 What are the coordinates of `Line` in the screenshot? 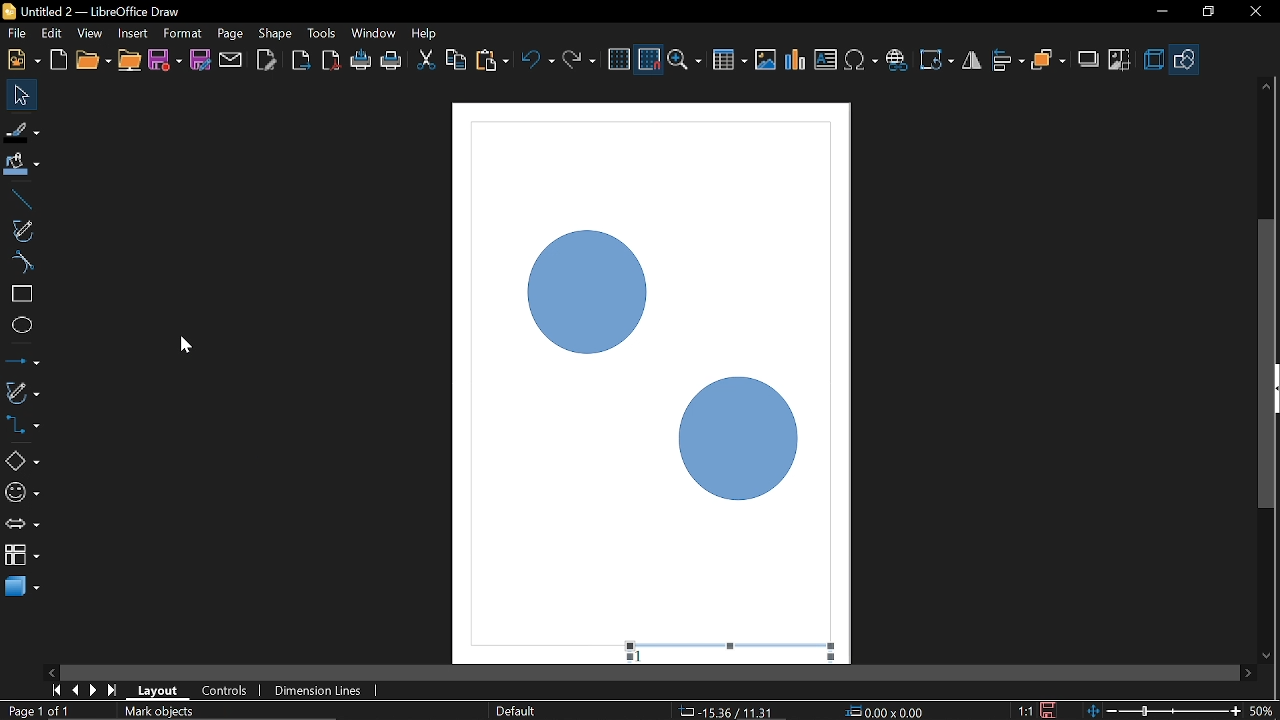 It's located at (19, 200).